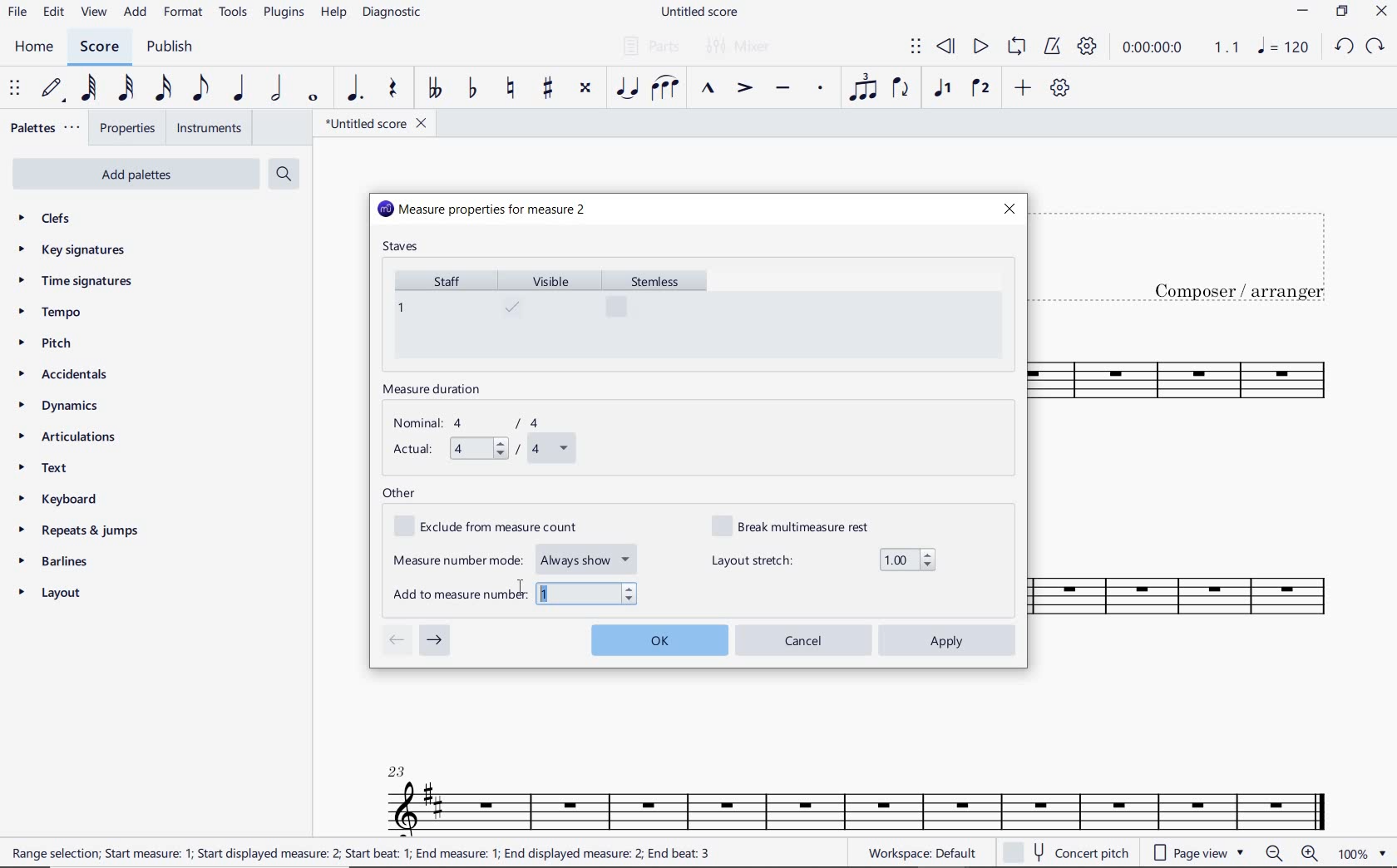  I want to click on MARCATO, so click(706, 90).